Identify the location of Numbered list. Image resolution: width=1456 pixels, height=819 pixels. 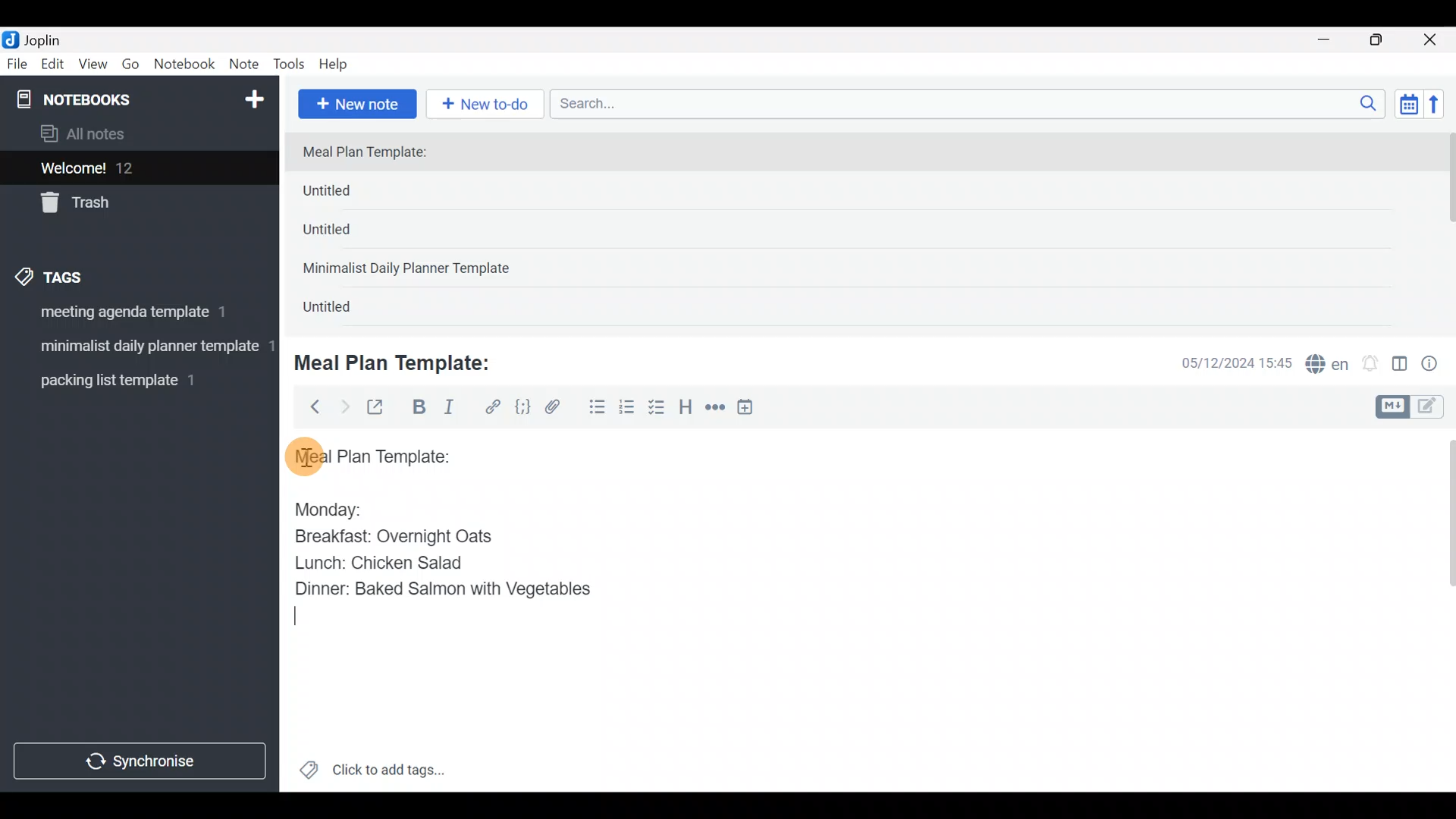
(627, 410).